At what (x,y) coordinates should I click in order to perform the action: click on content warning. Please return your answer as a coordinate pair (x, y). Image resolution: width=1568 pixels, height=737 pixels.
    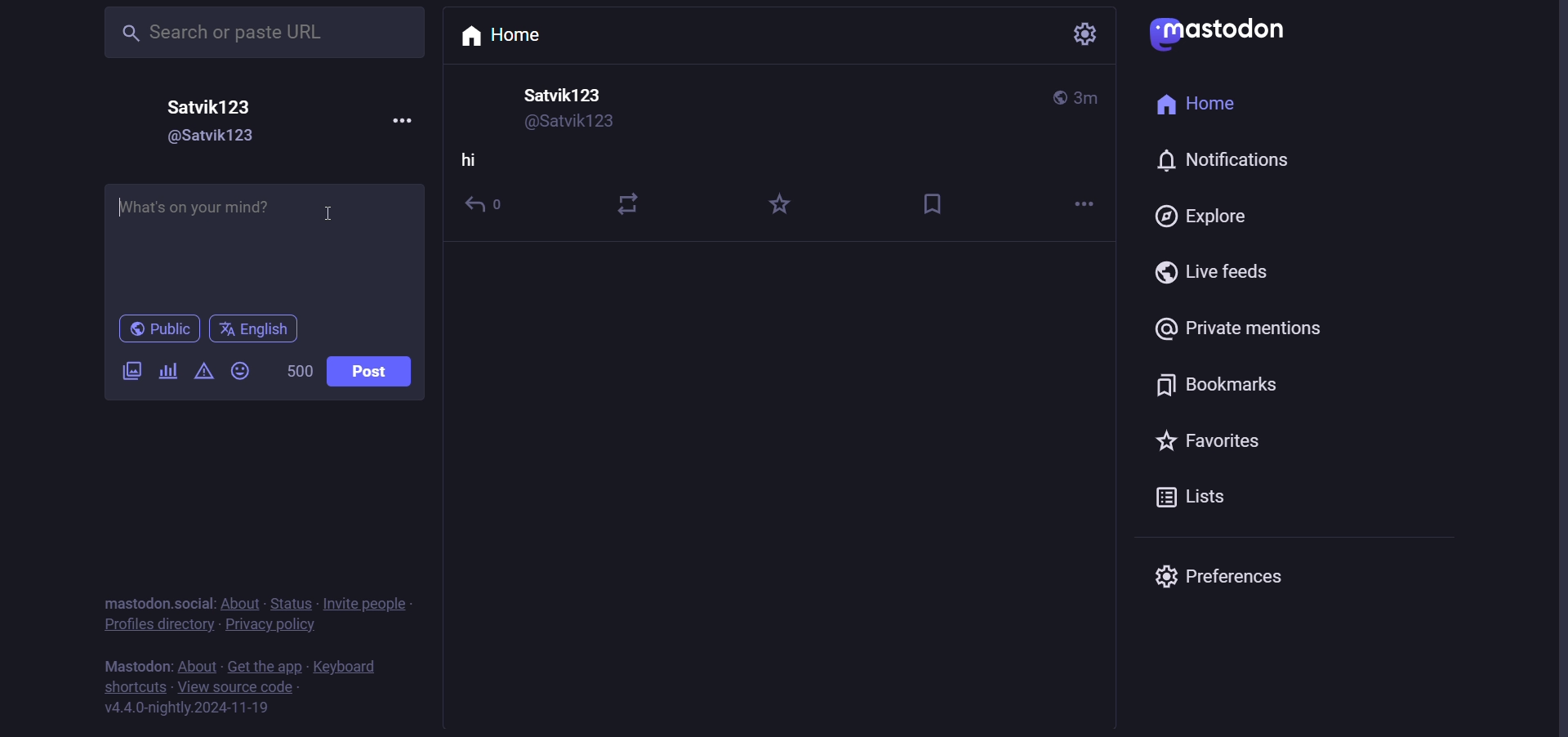
    Looking at the image, I should click on (202, 373).